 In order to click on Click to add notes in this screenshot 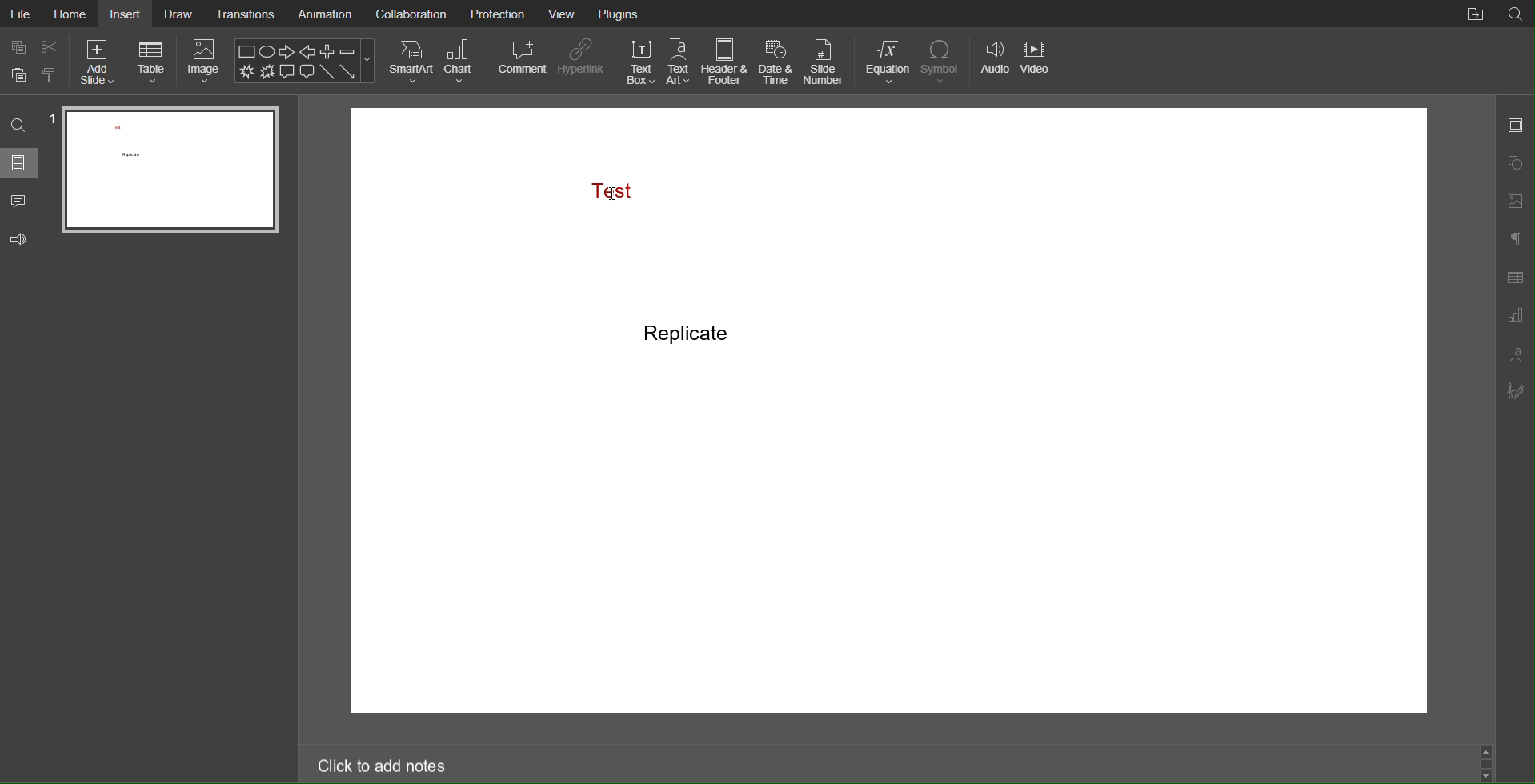, I will do `click(383, 767)`.